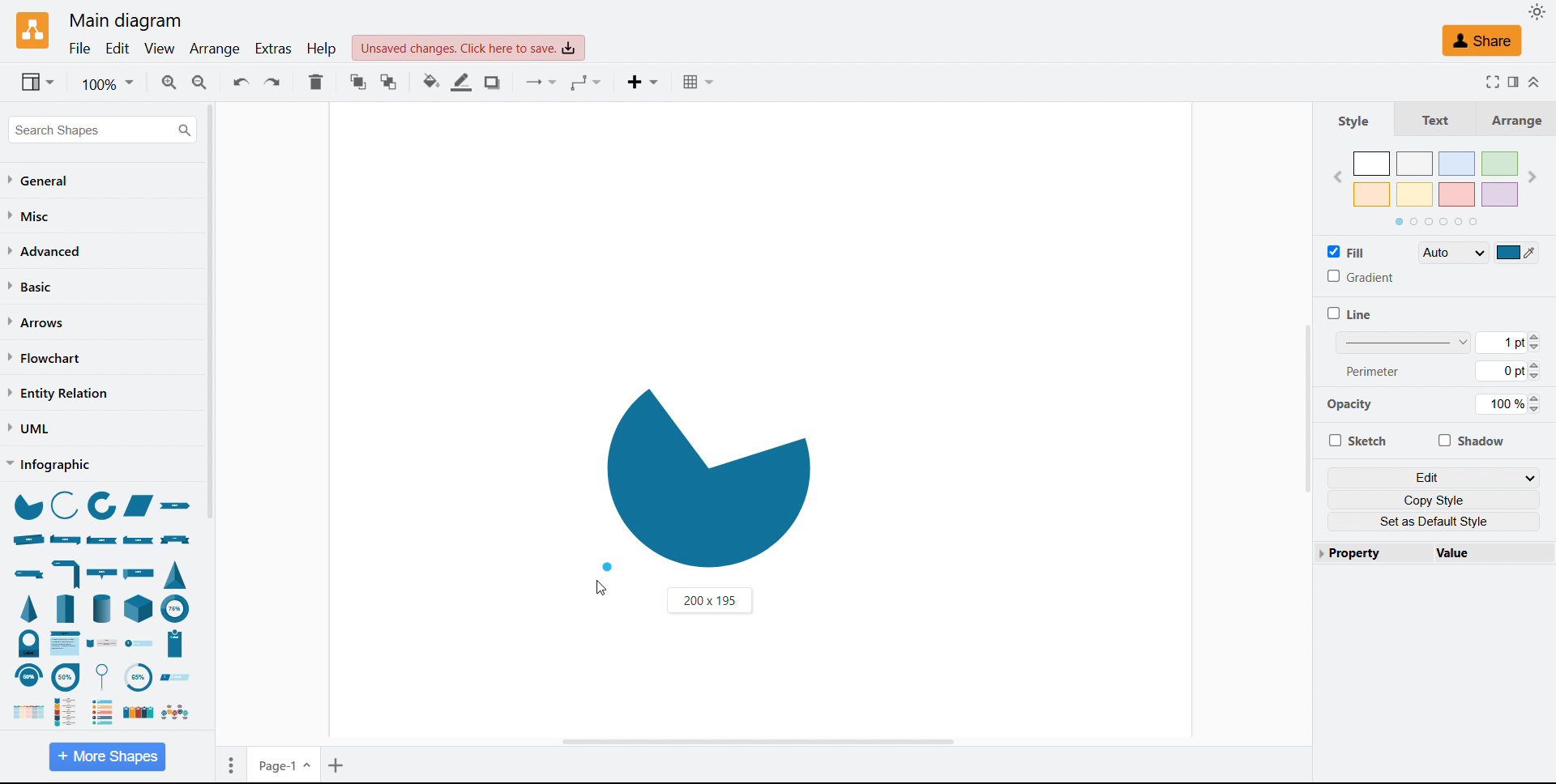  Describe the element at coordinates (1507, 404) in the screenshot. I see `Set opacity ` at that location.